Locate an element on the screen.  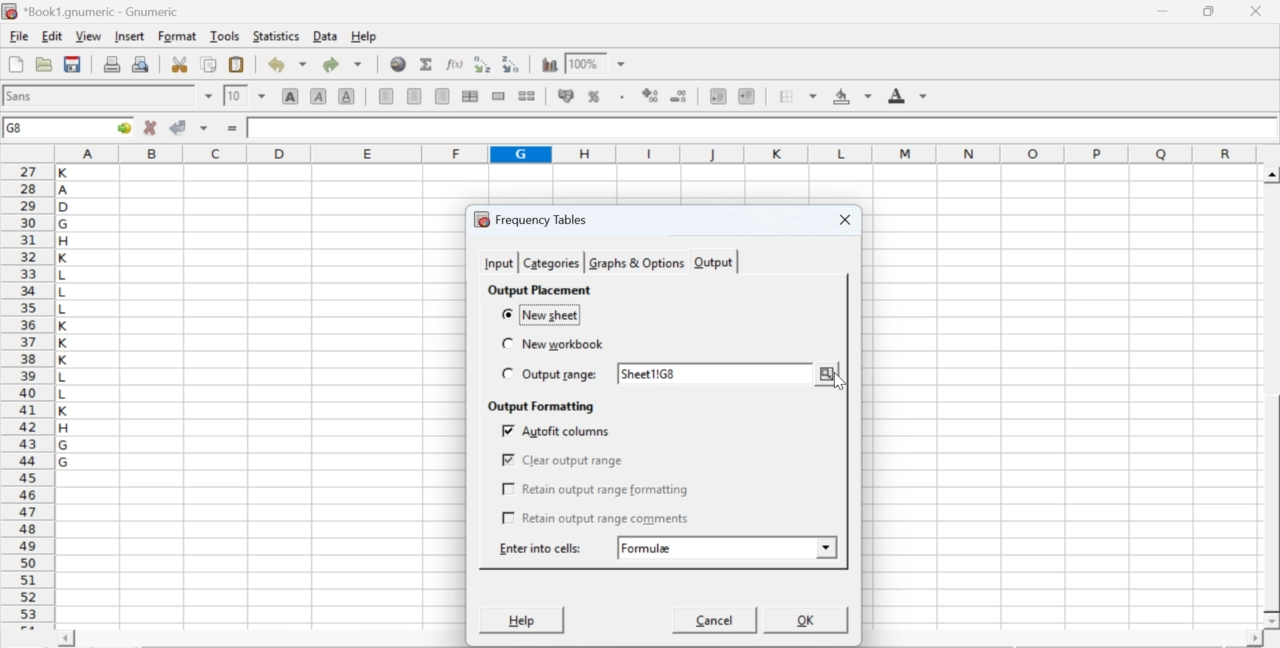
align right is located at coordinates (442, 97).